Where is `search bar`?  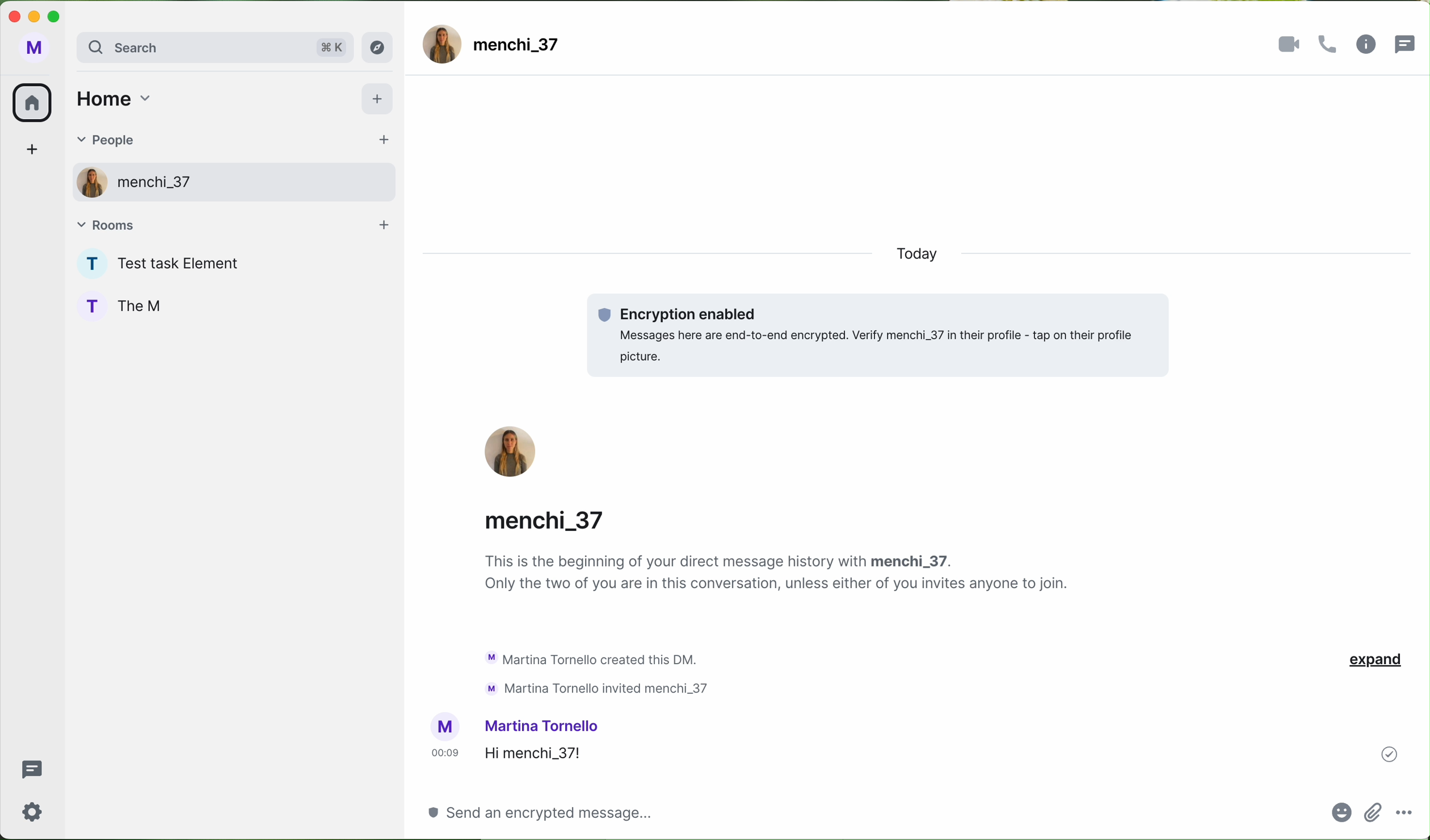 search bar is located at coordinates (213, 49).